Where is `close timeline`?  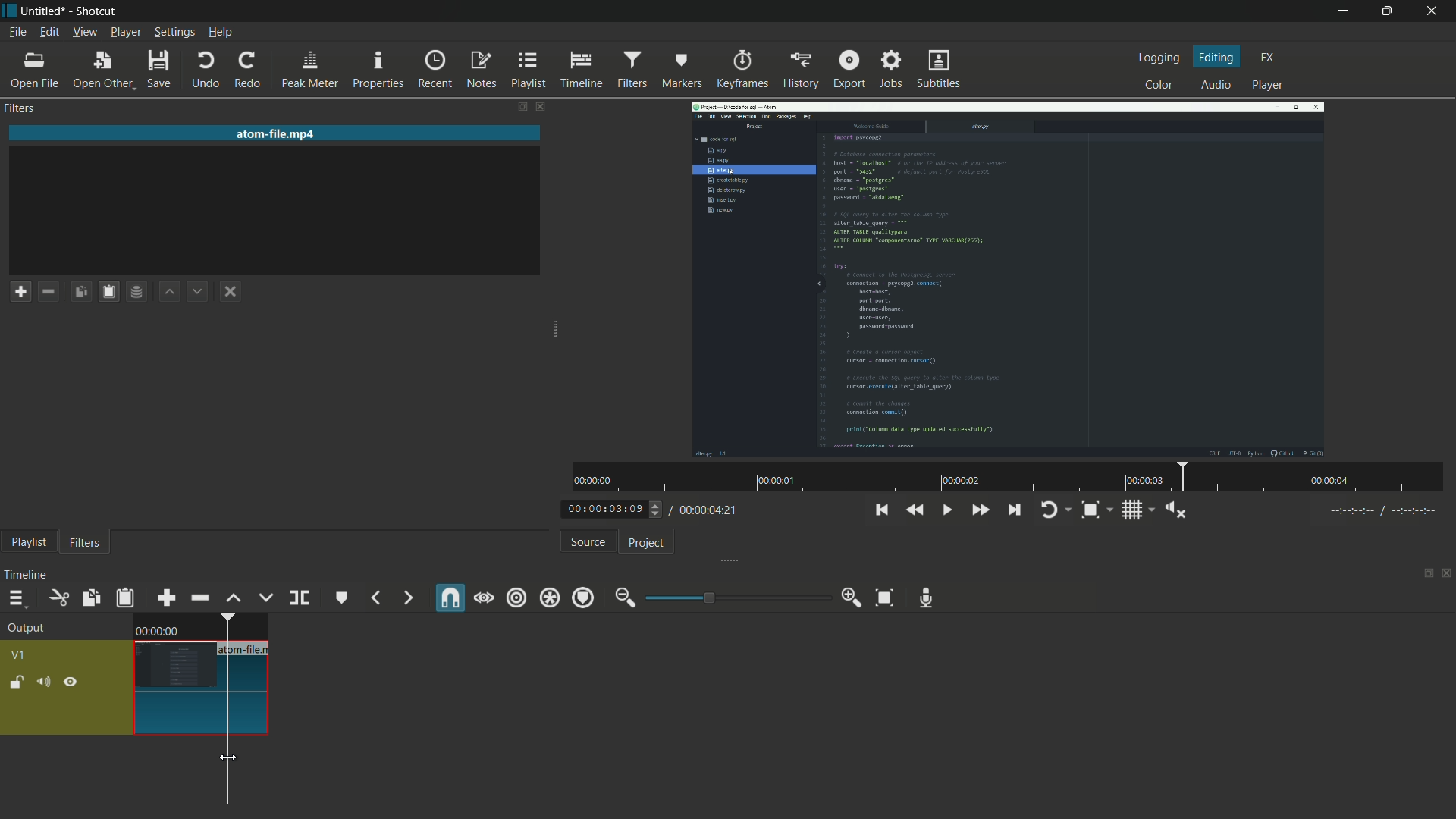 close timeline is located at coordinates (1447, 574).